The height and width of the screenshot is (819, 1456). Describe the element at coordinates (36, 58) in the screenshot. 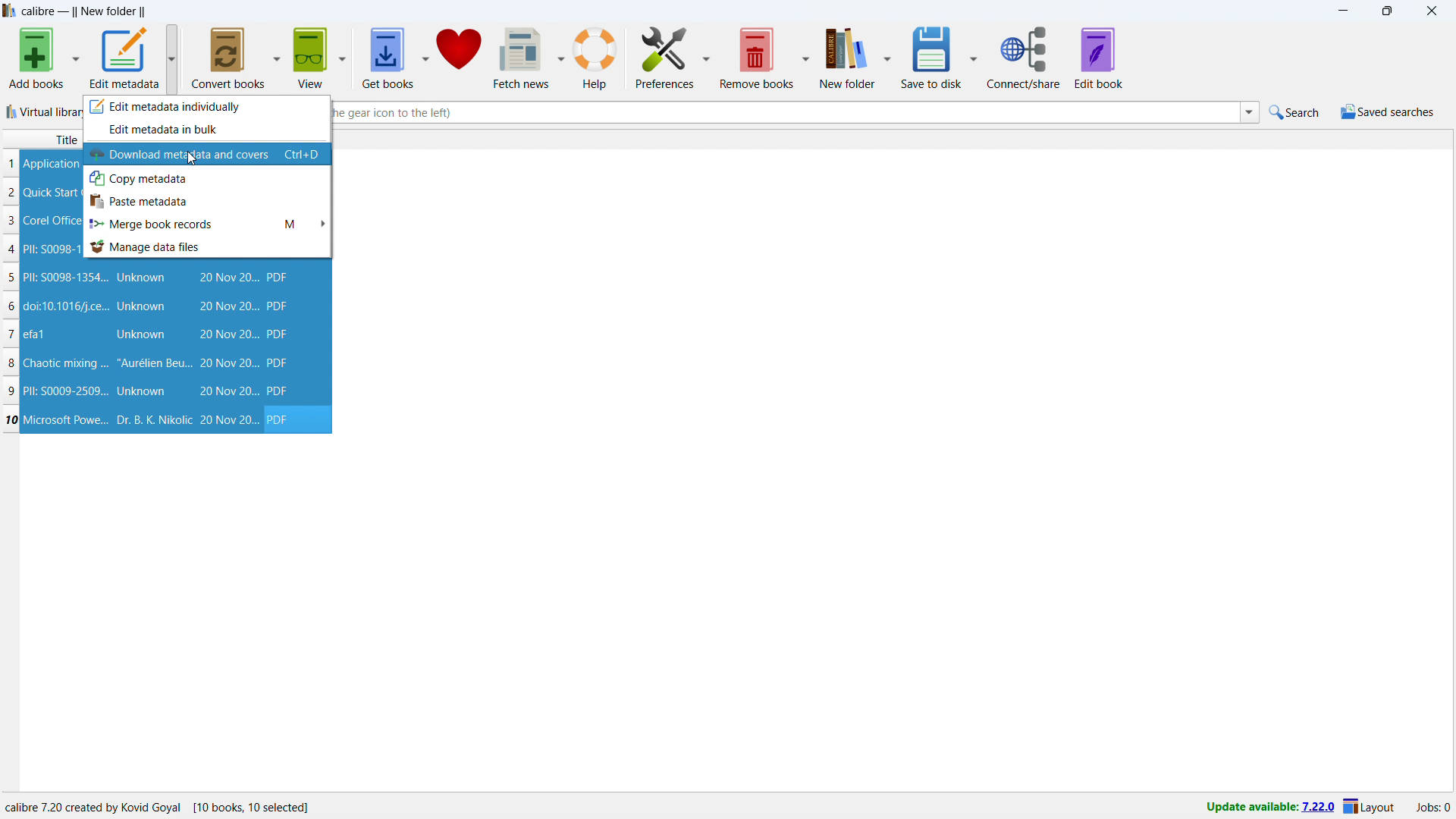

I see `add books` at that location.